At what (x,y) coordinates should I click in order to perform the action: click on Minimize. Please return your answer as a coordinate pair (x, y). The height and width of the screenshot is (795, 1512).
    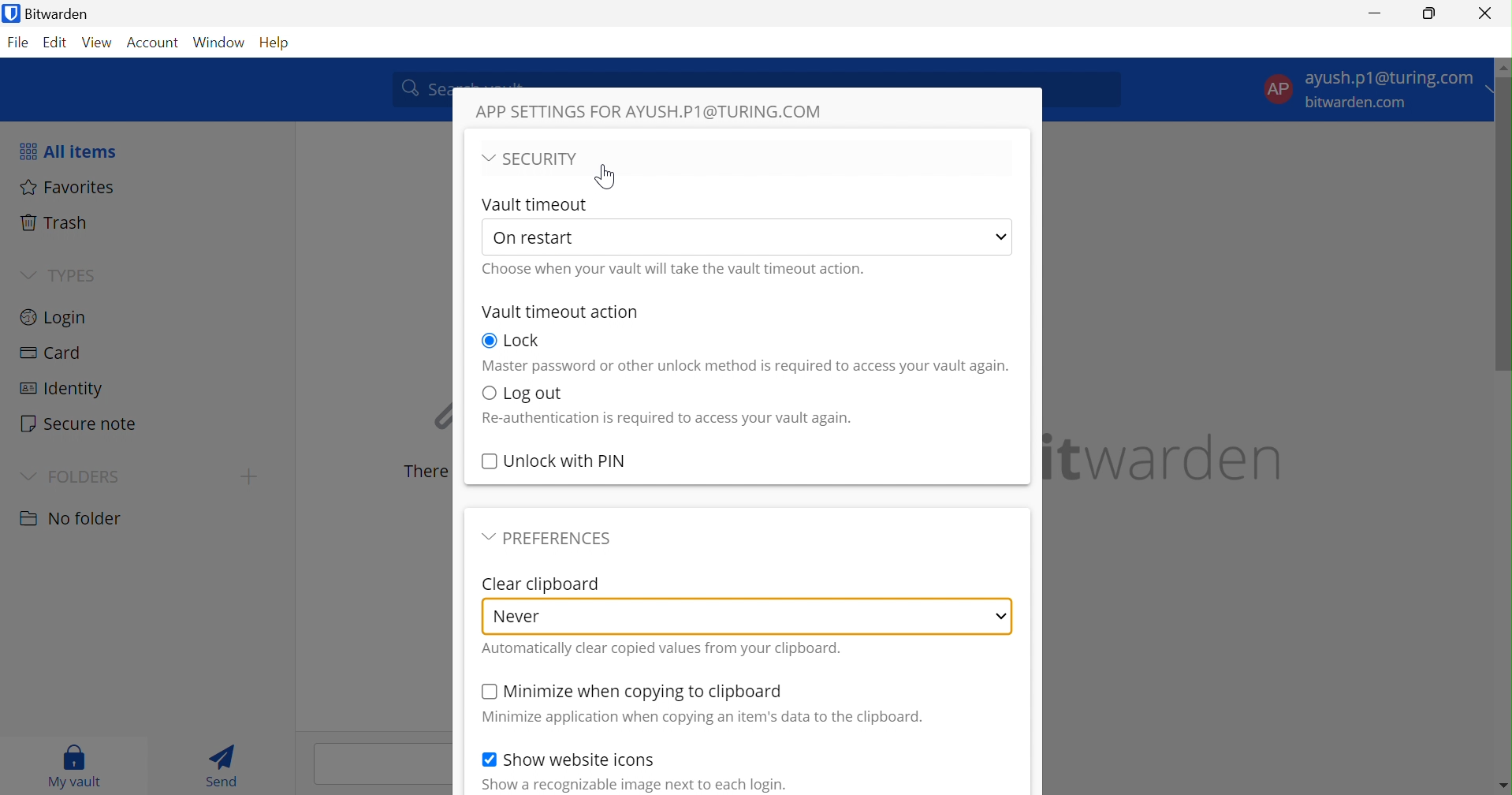
    Looking at the image, I should click on (1372, 17).